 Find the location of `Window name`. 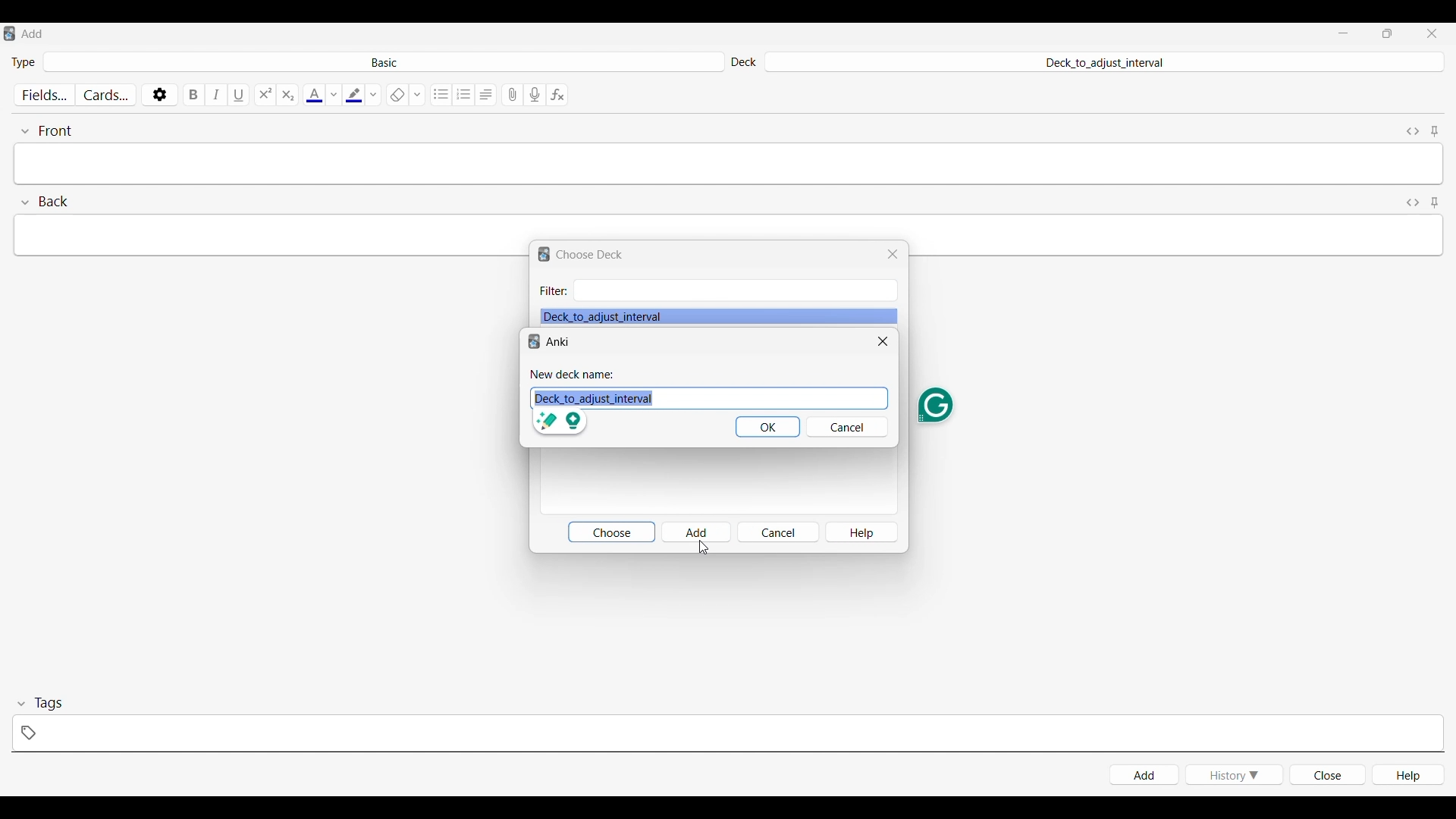

Window name is located at coordinates (33, 33).